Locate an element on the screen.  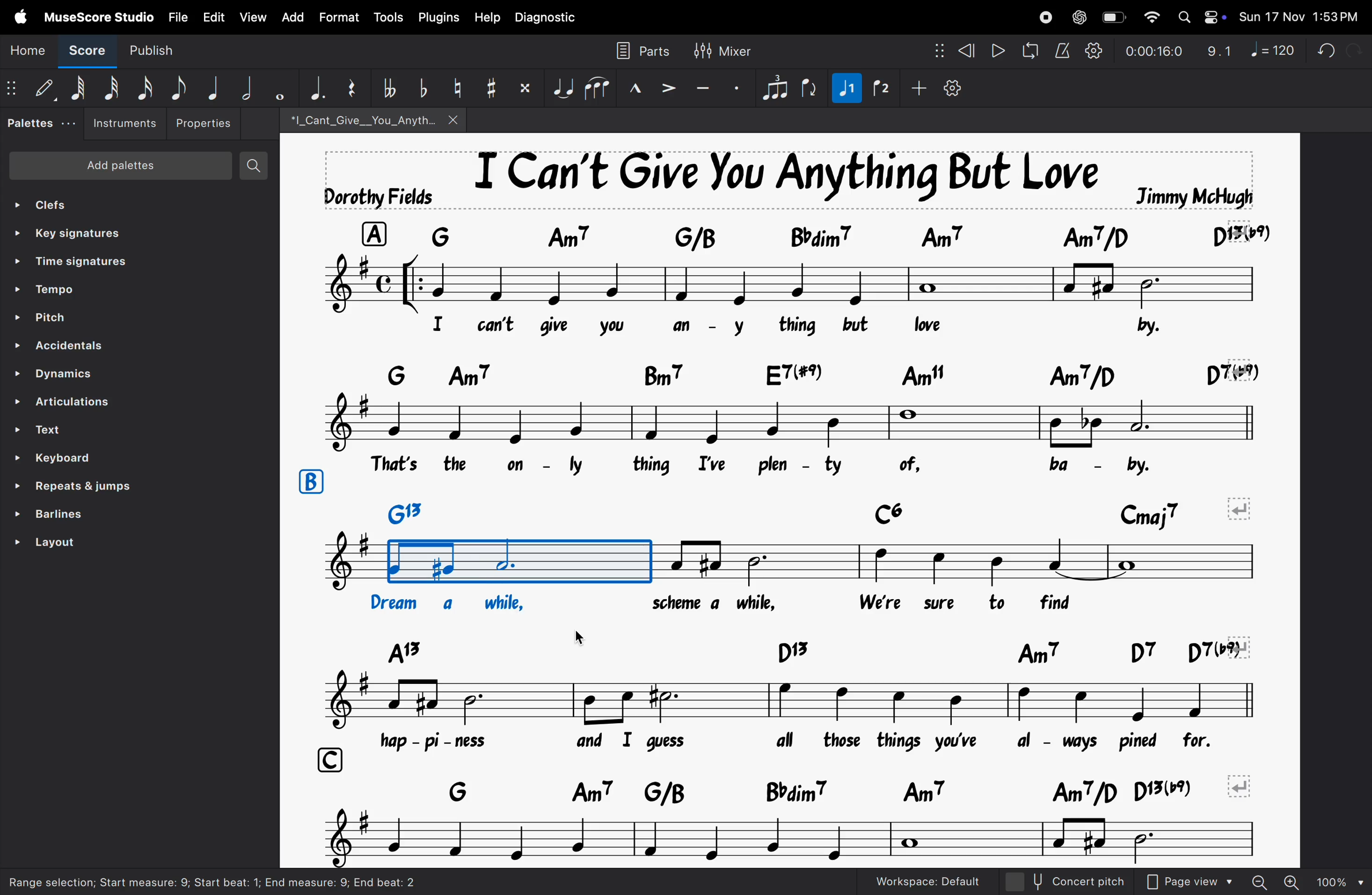
plugins is located at coordinates (437, 17).